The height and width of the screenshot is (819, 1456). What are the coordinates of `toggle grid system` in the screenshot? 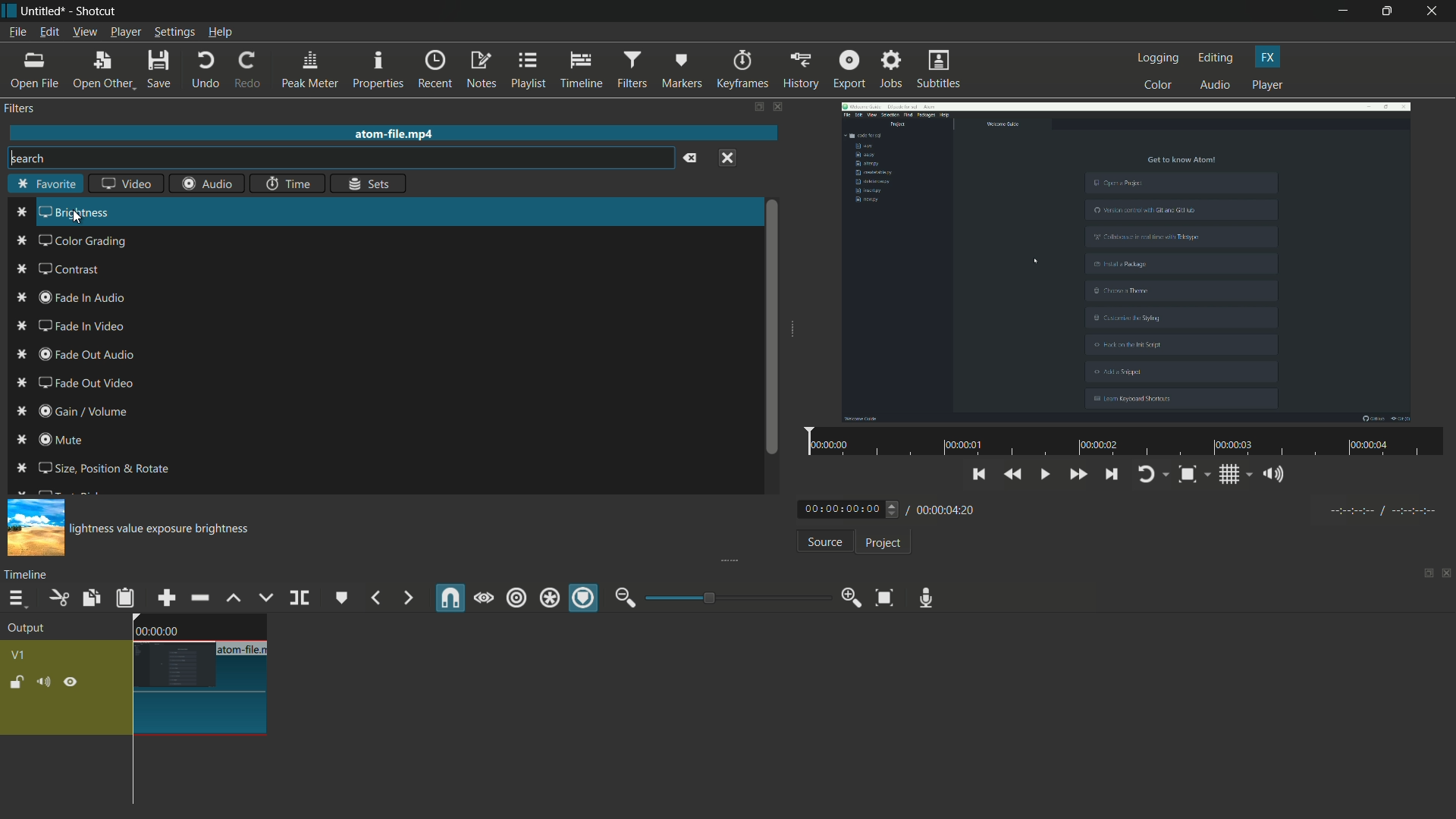 It's located at (1237, 477).